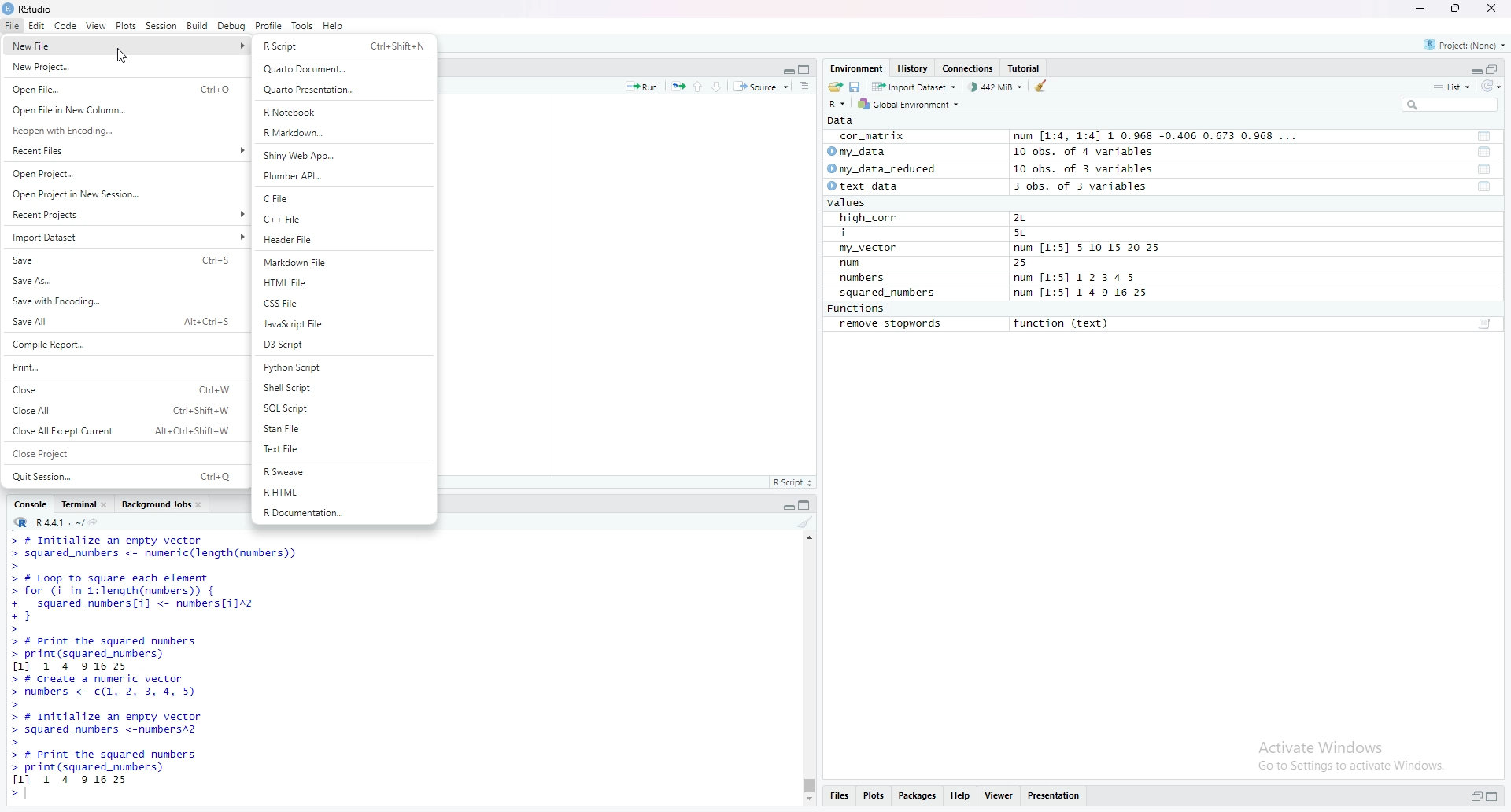 This screenshot has width=1511, height=812. I want to click on R Sweave., so click(343, 474).